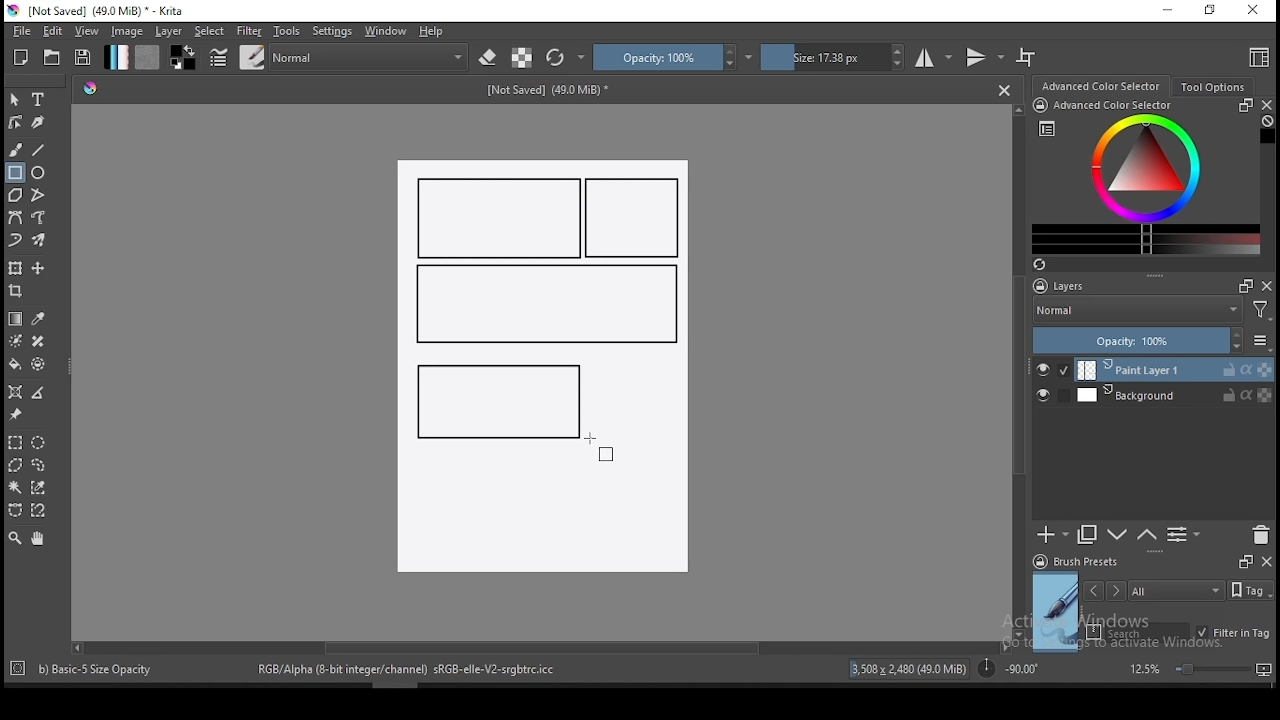 The image size is (1280, 720). Describe the element at coordinates (1240, 285) in the screenshot. I see `Frames` at that location.